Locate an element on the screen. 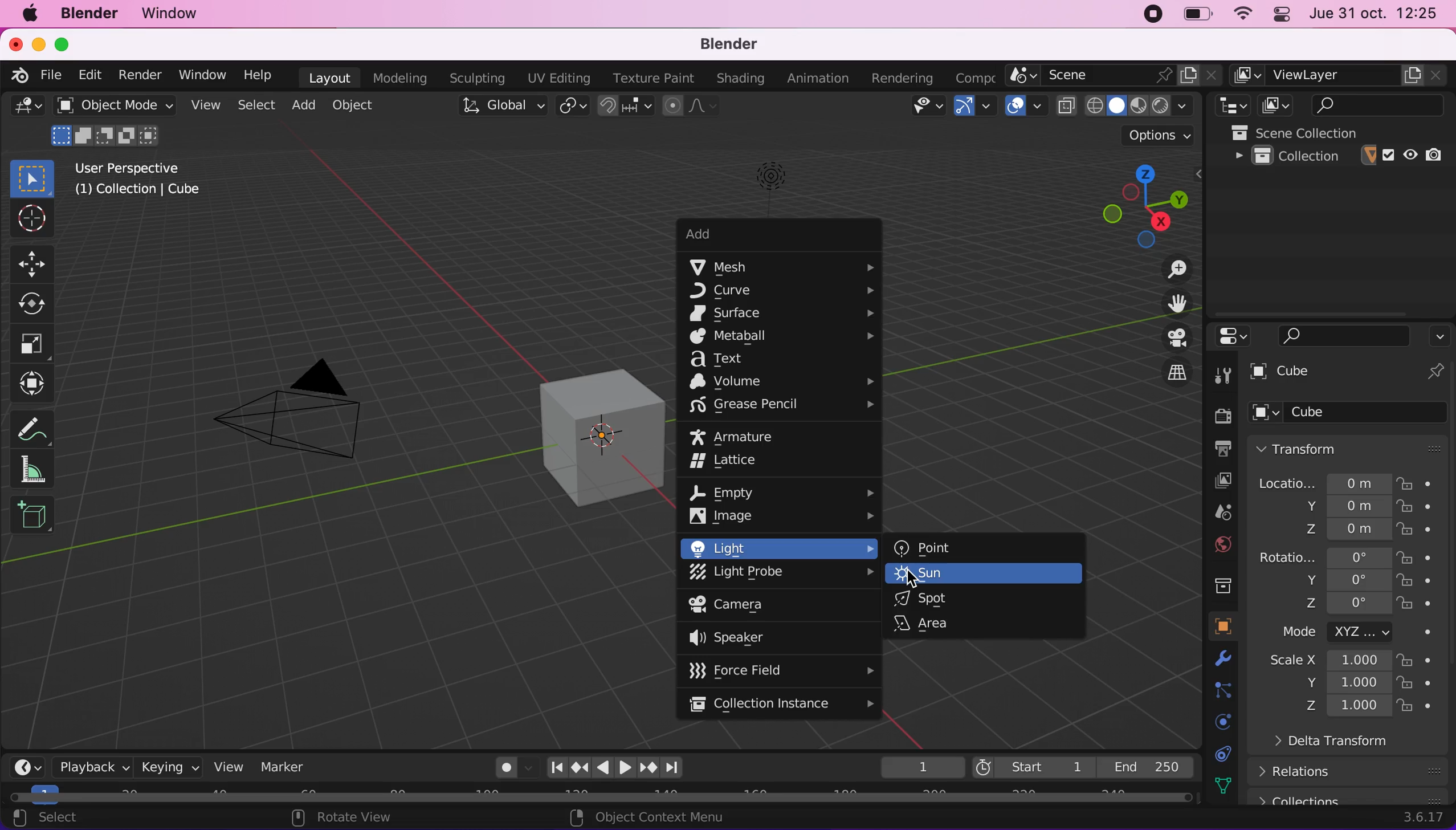 The image size is (1456, 830). view is located at coordinates (206, 105).